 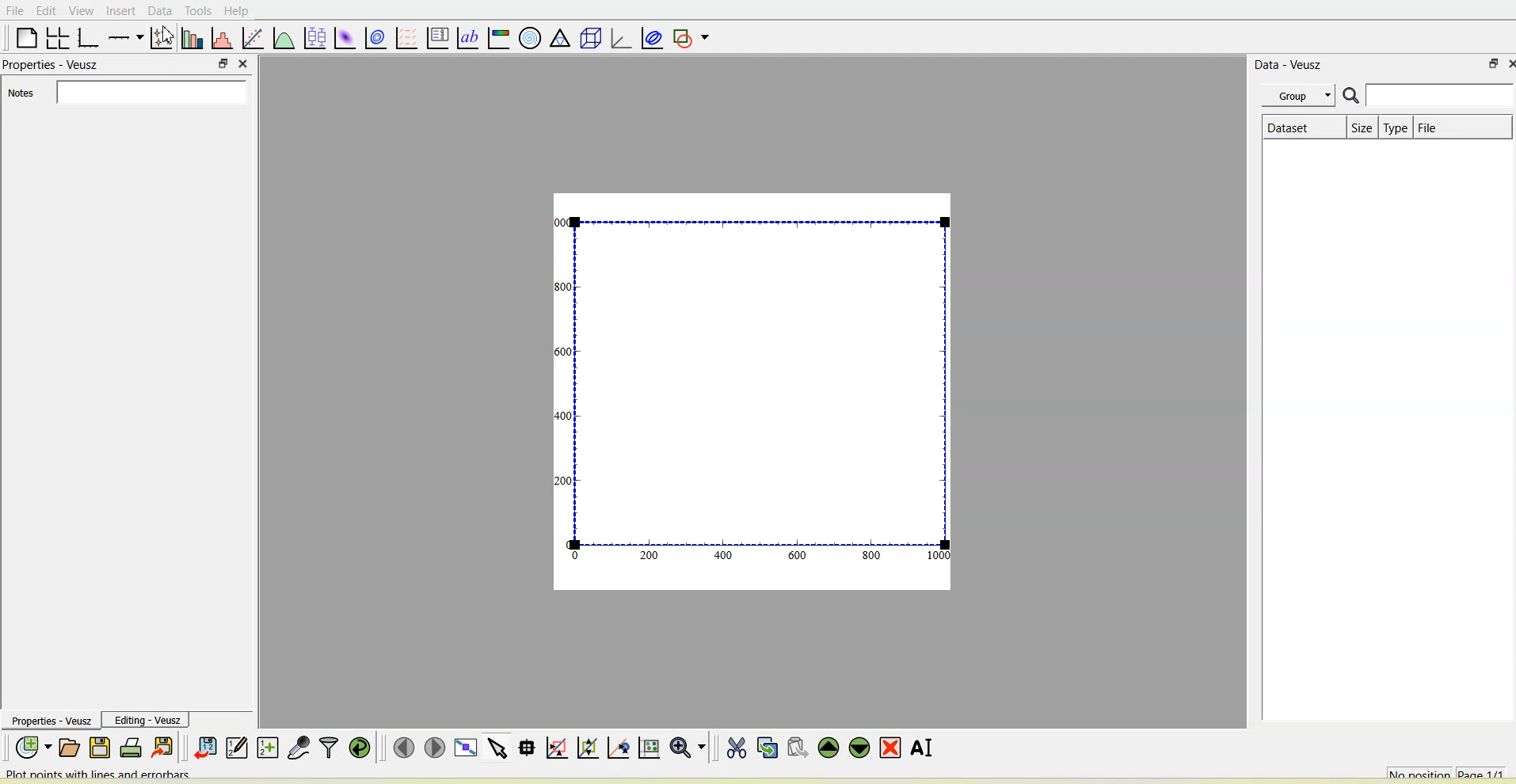 What do you see at coordinates (162, 748) in the screenshot?
I see `Export to graphics formats` at bounding box center [162, 748].